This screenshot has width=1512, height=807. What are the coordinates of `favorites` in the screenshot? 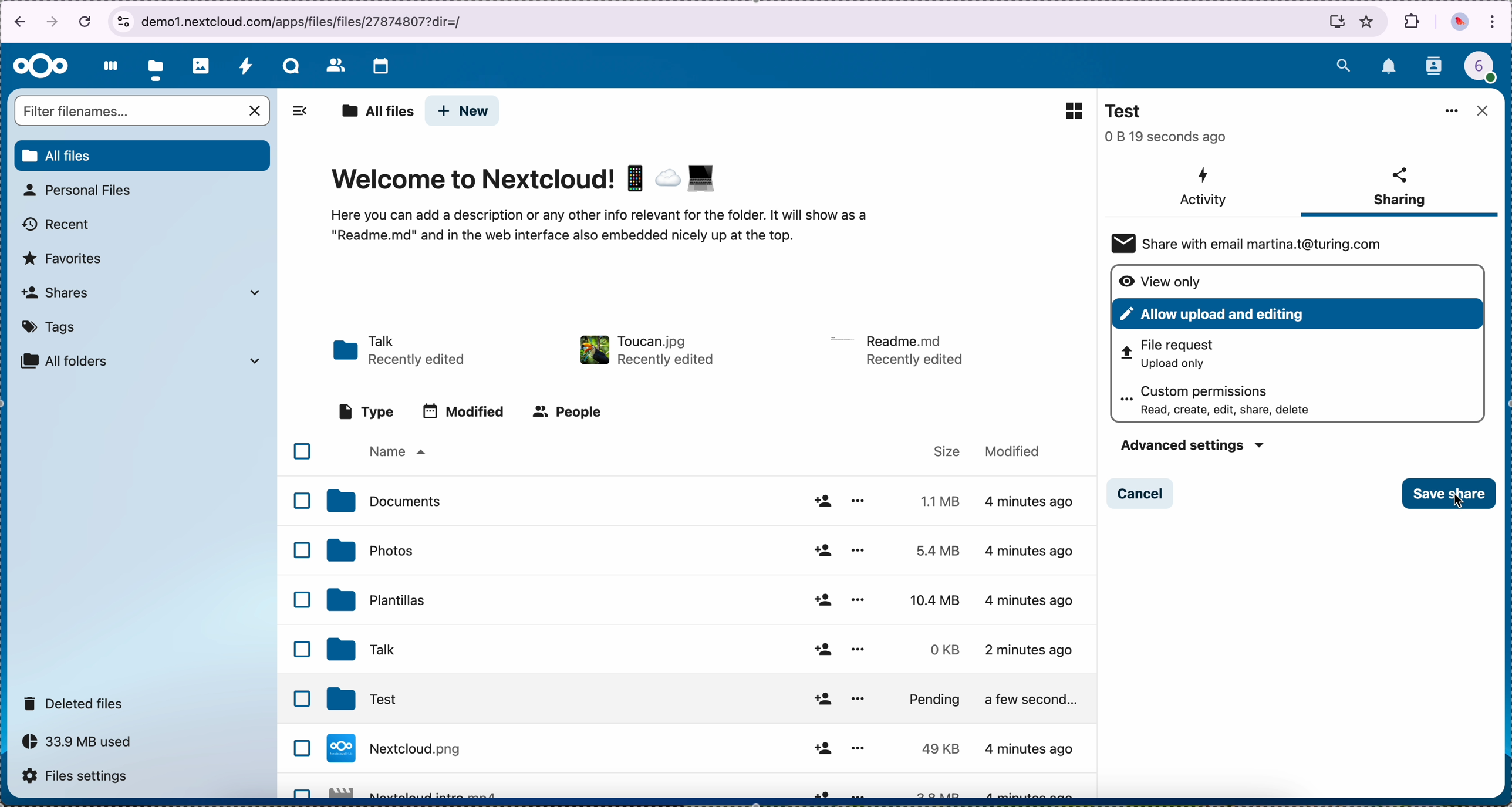 It's located at (63, 259).